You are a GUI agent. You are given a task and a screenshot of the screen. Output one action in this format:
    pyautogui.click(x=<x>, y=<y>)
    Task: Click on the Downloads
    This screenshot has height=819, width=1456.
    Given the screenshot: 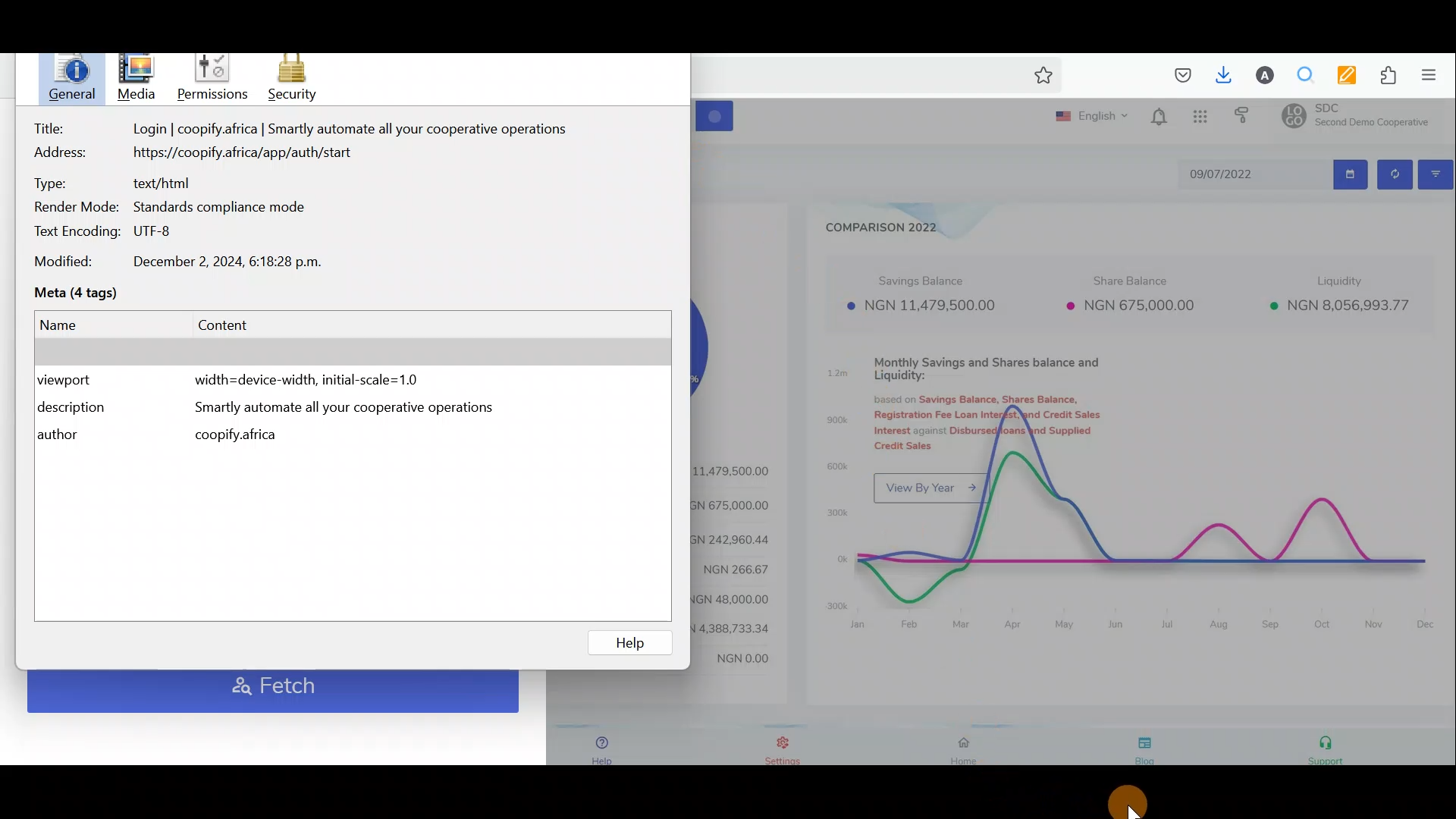 What is the action you would take?
    pyautogui.click(x=1220, y=74)
    